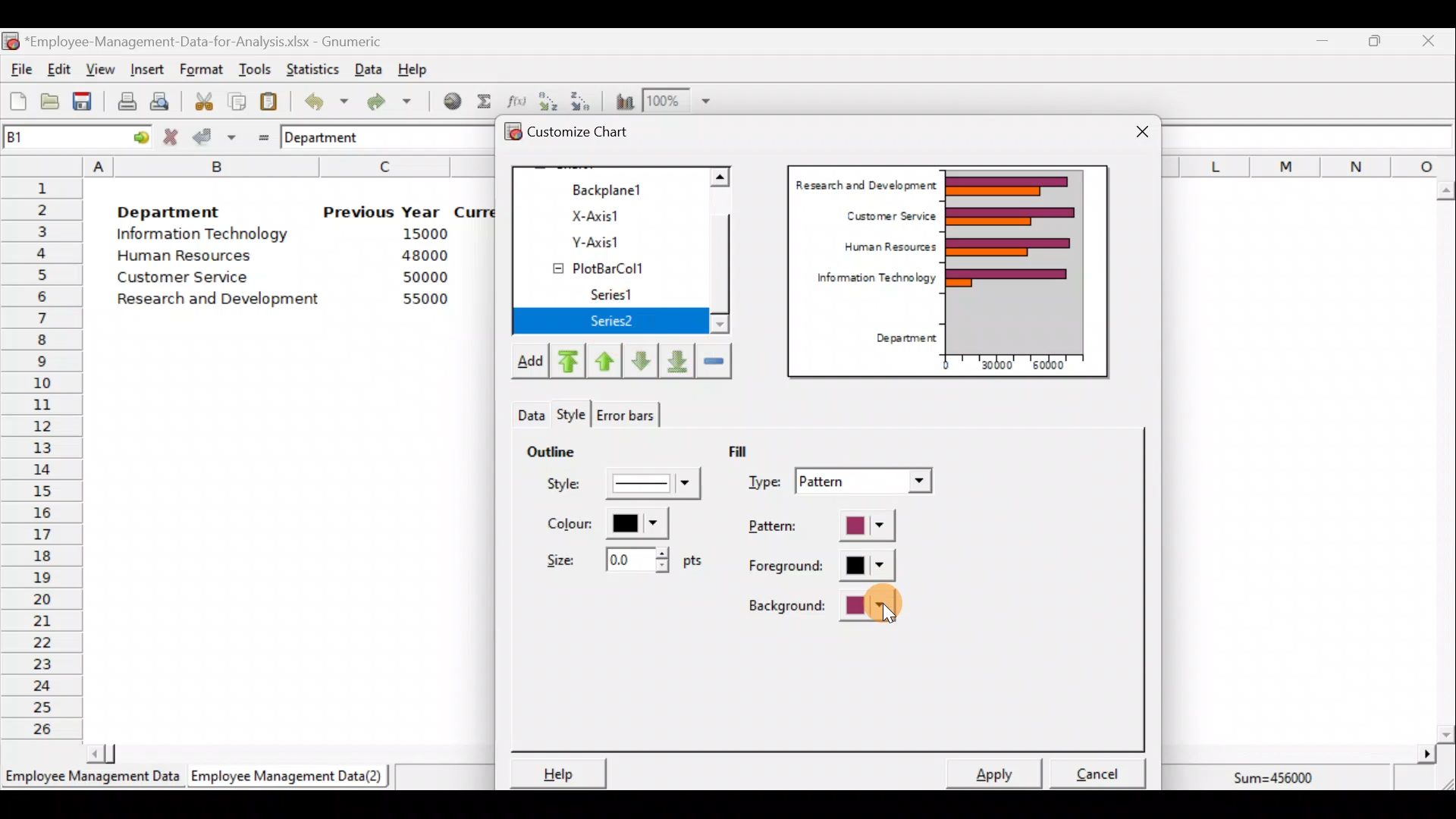 Image resolution: width=1456 pixels, height=819 pixels. I want to click on Pattern, so click(836, 527).